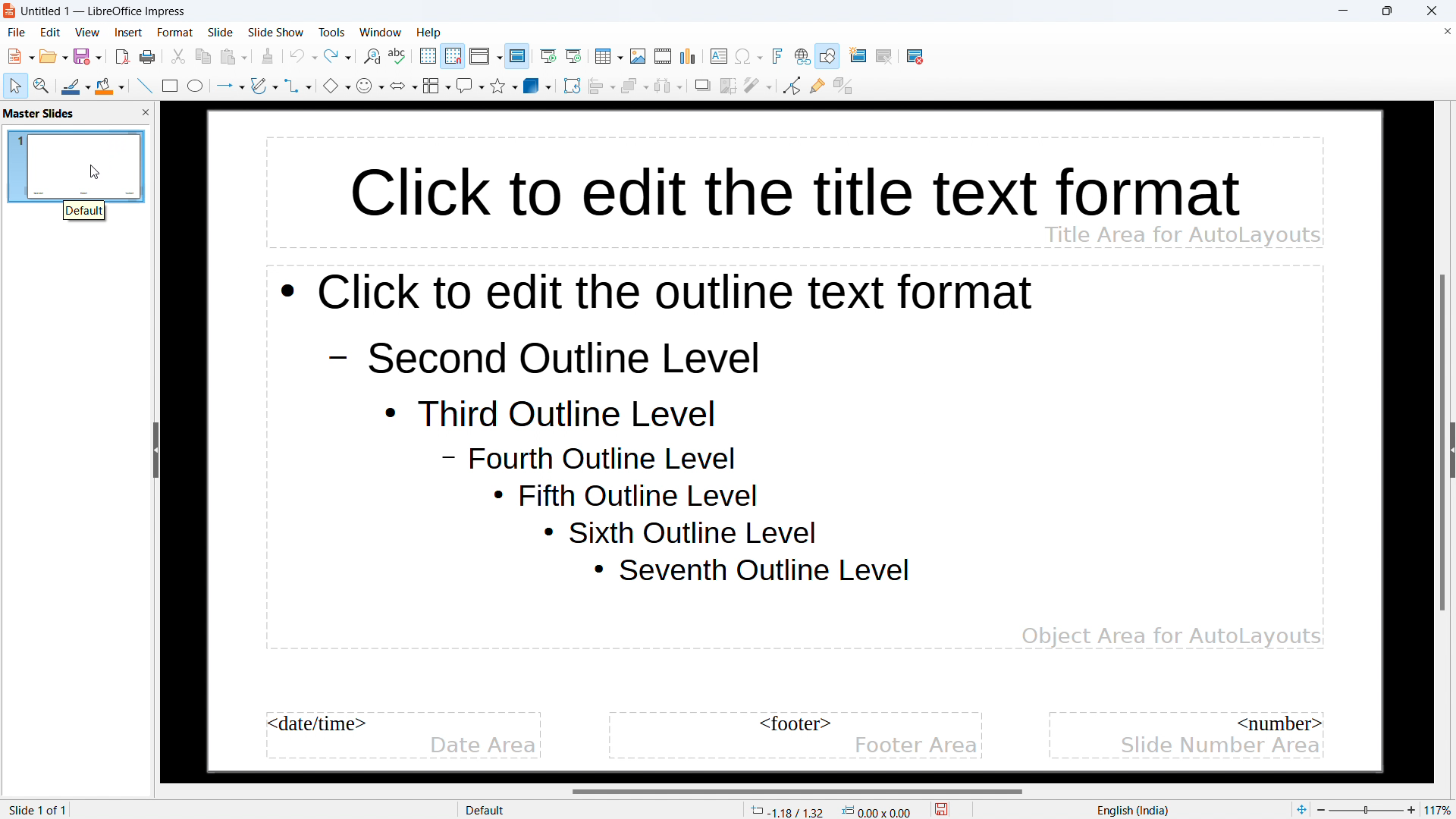 The width and height of the screenshot is (1456, 819). Describe the element at coordinates (1440, 443) in the screenshot. I see `vertical scrollbar` at that location.